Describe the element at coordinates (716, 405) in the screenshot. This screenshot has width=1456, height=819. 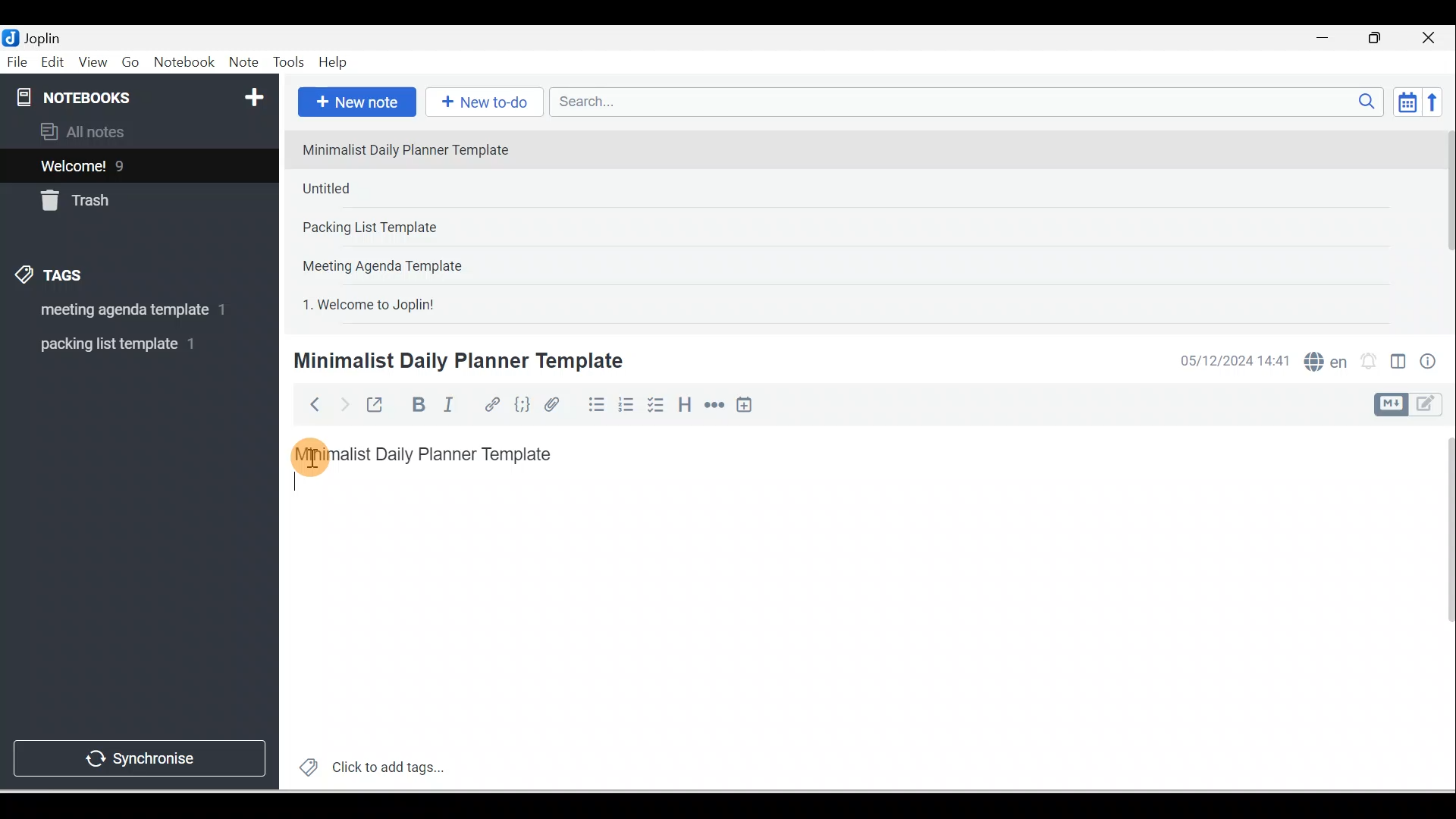
I see `Horizontal rule` at that location.